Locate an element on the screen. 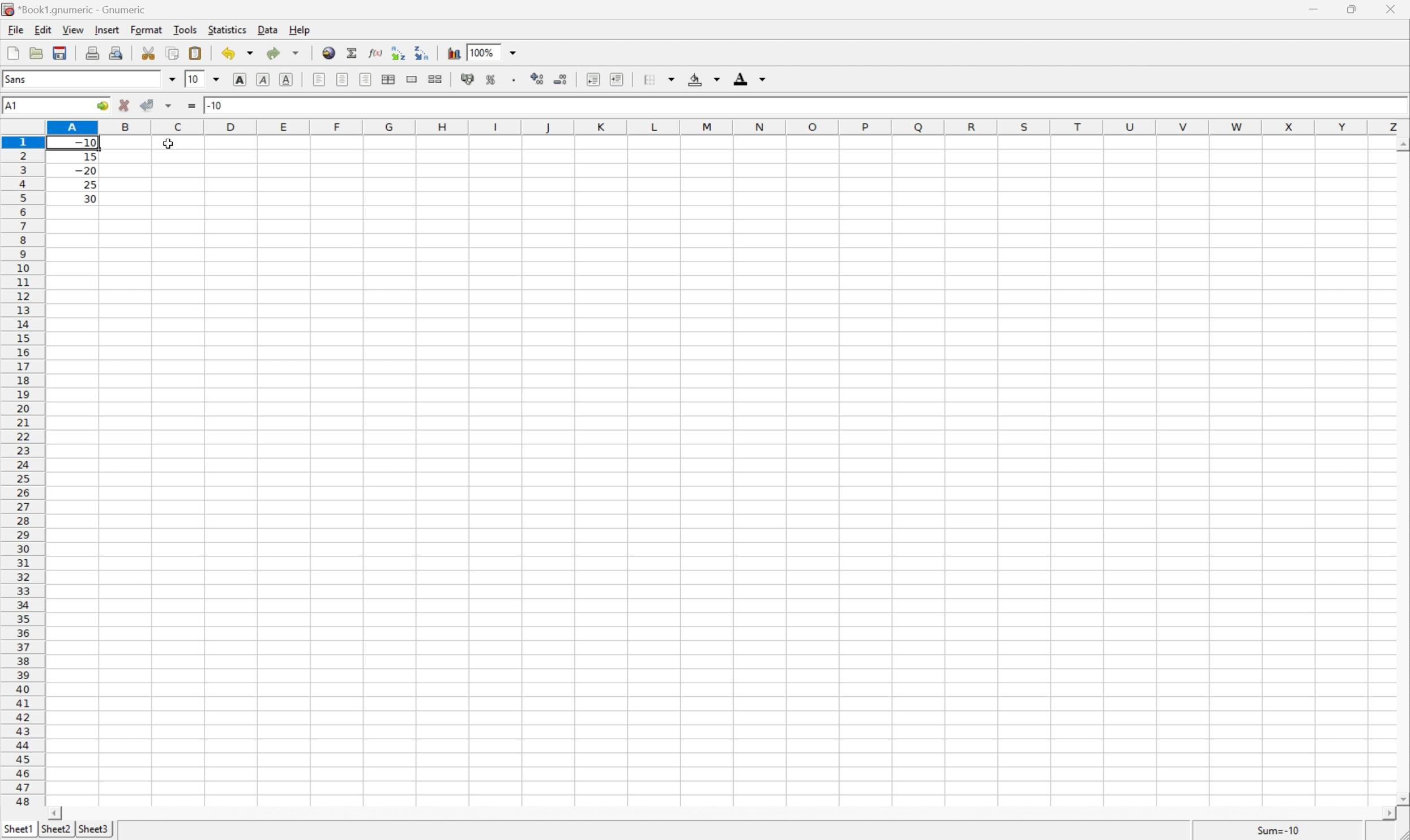  Column names is located at coordinates (728, 126).